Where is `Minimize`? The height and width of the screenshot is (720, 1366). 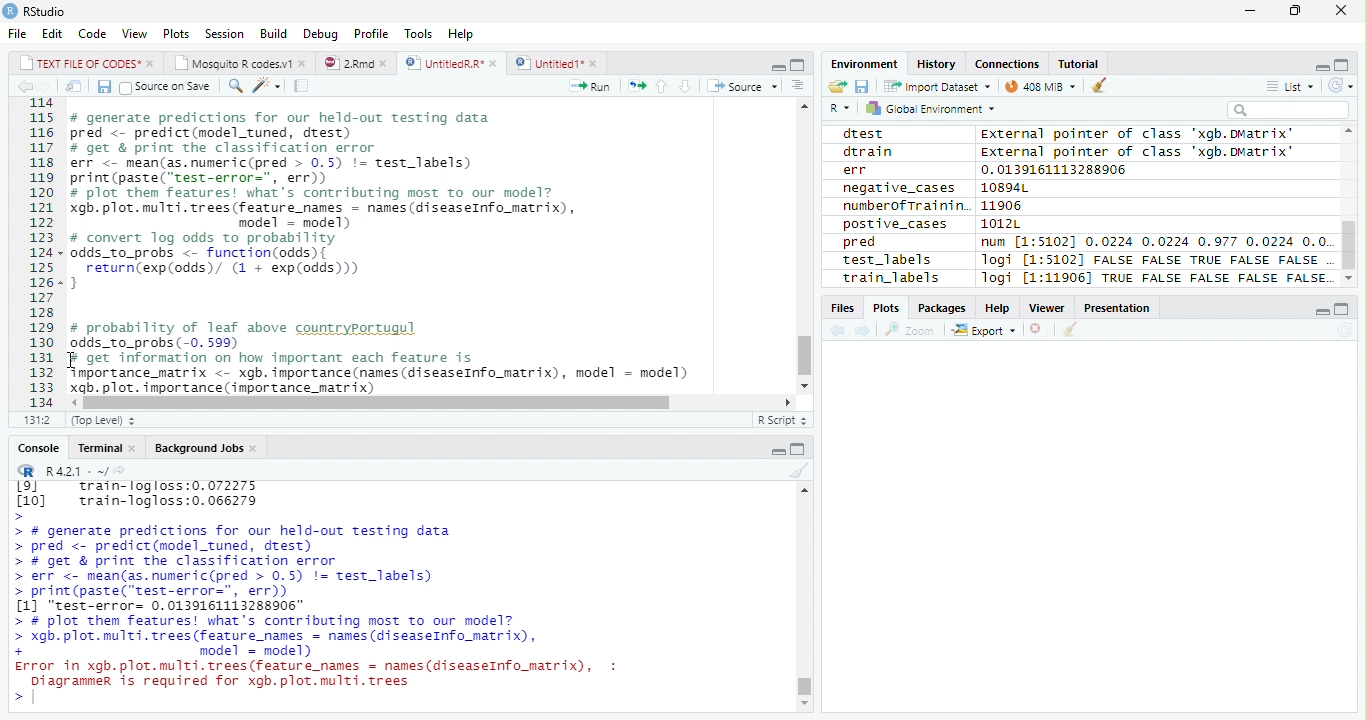
Minimize is located at coordinates (1322, 309).